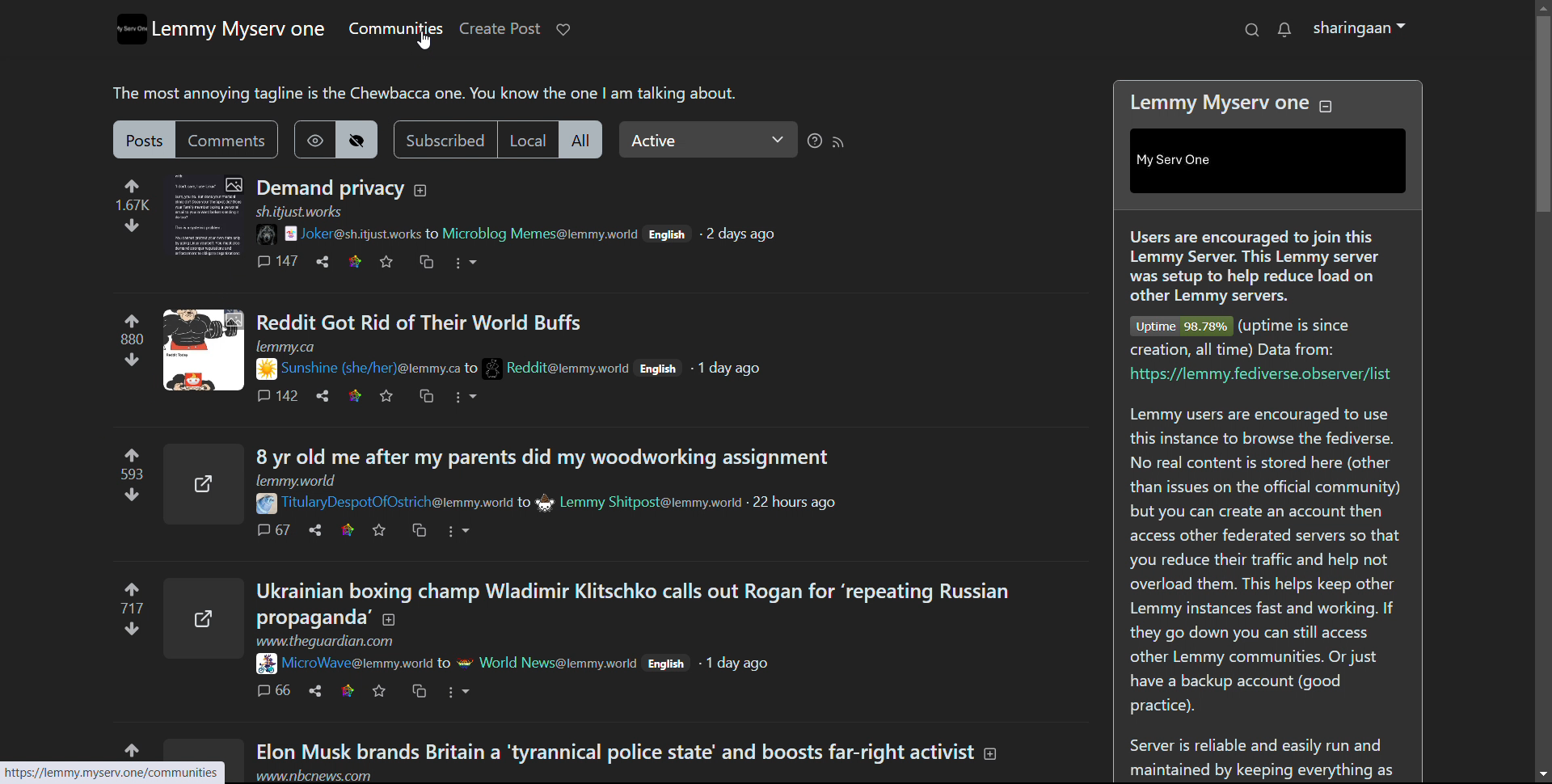 The height and width of the screenshot is (784, 1552). What do you see at coordinates (493, 365) in the screenshot?
I see `poster image` at bounding box center [493, 365].